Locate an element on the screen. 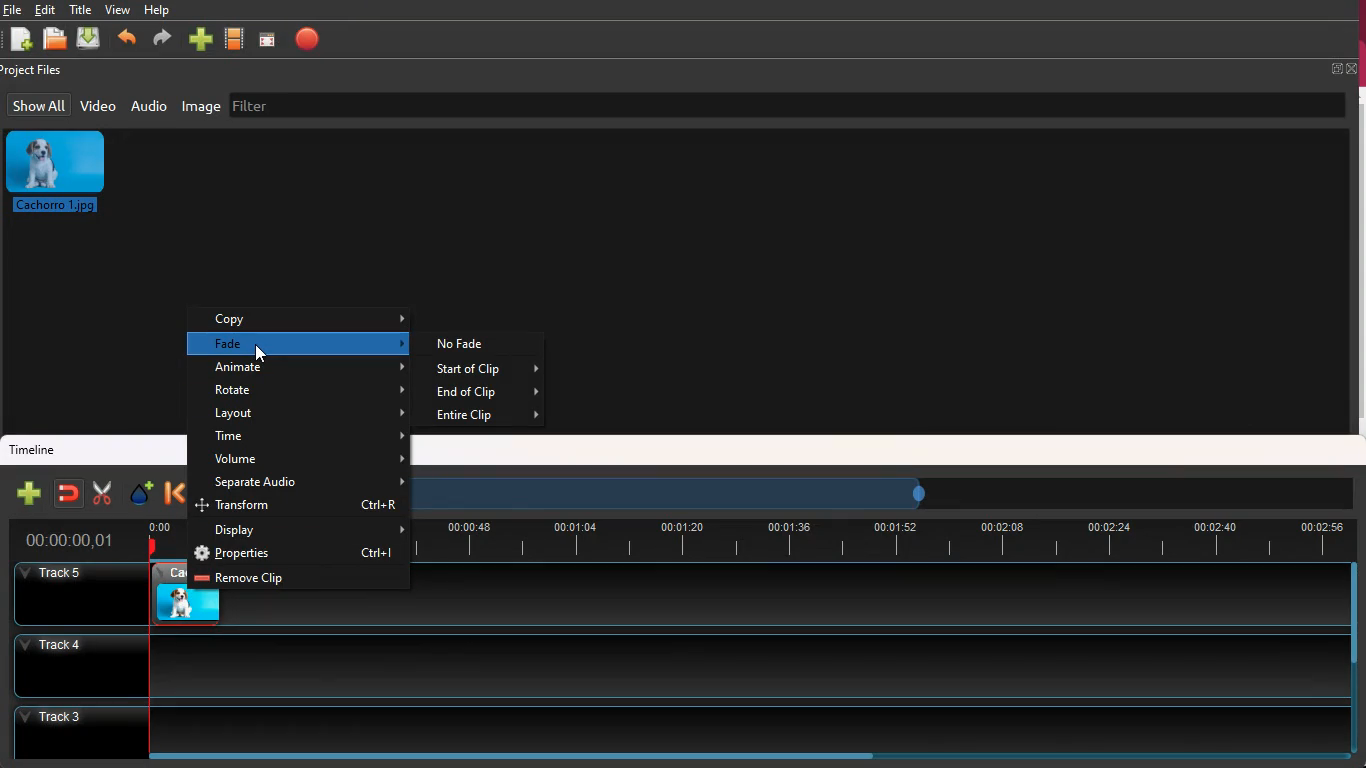  back is located at coordinates (172, 494).